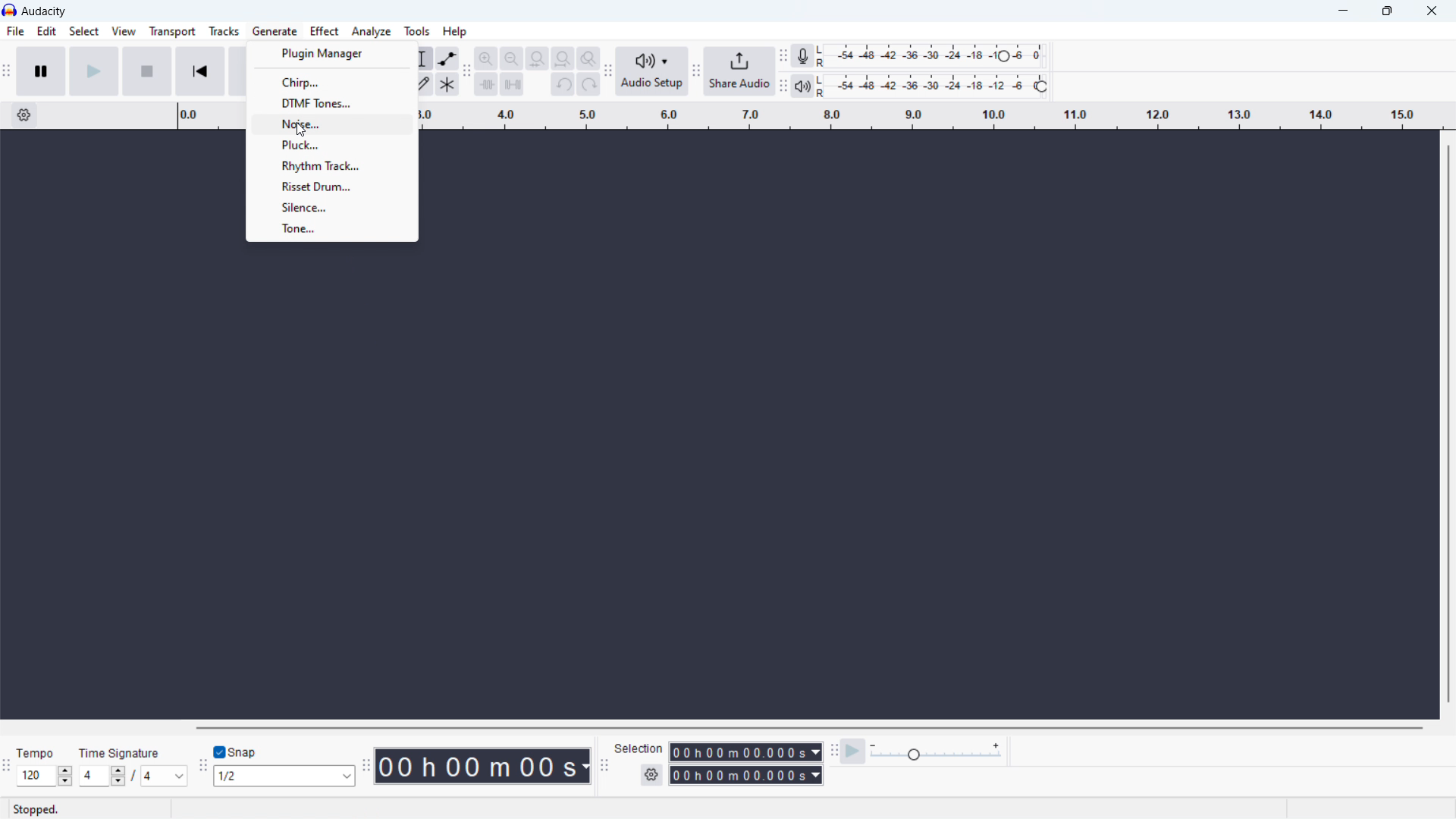 The height and width of the screenshot is (819, 1456). What do you see at coordinates (482, 766) in the screenshot?
I see `timestamp` at bounding box center [482, 766].